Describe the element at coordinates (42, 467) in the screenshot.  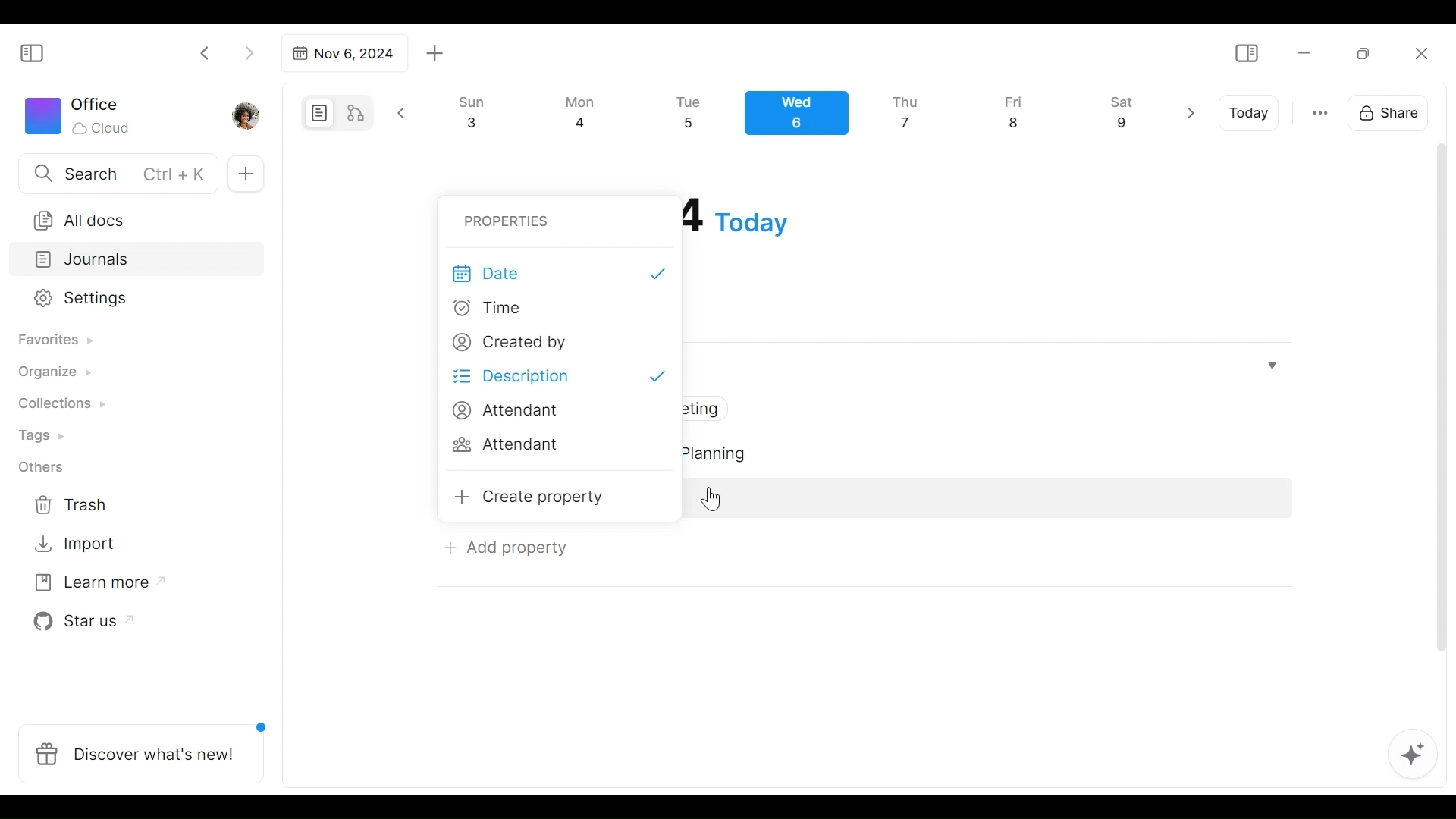
I see `Others` at that location.